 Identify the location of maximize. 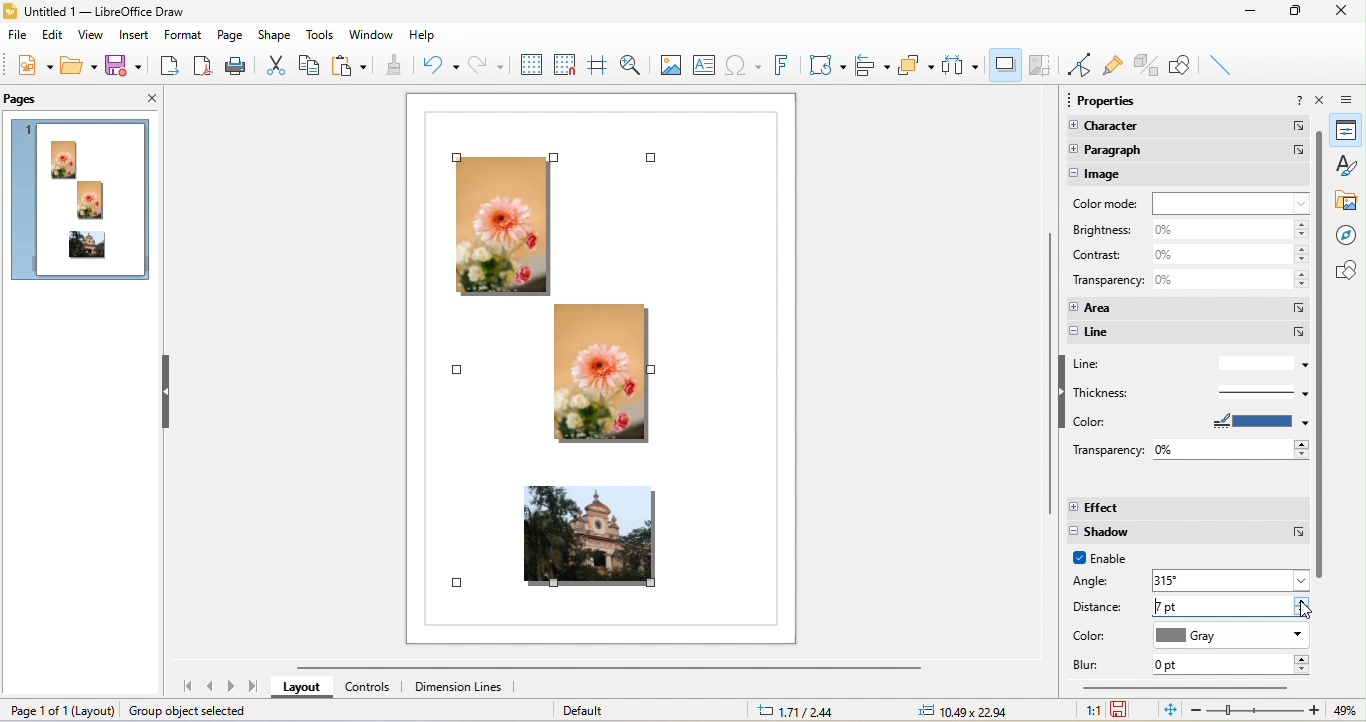
(1300, 12).